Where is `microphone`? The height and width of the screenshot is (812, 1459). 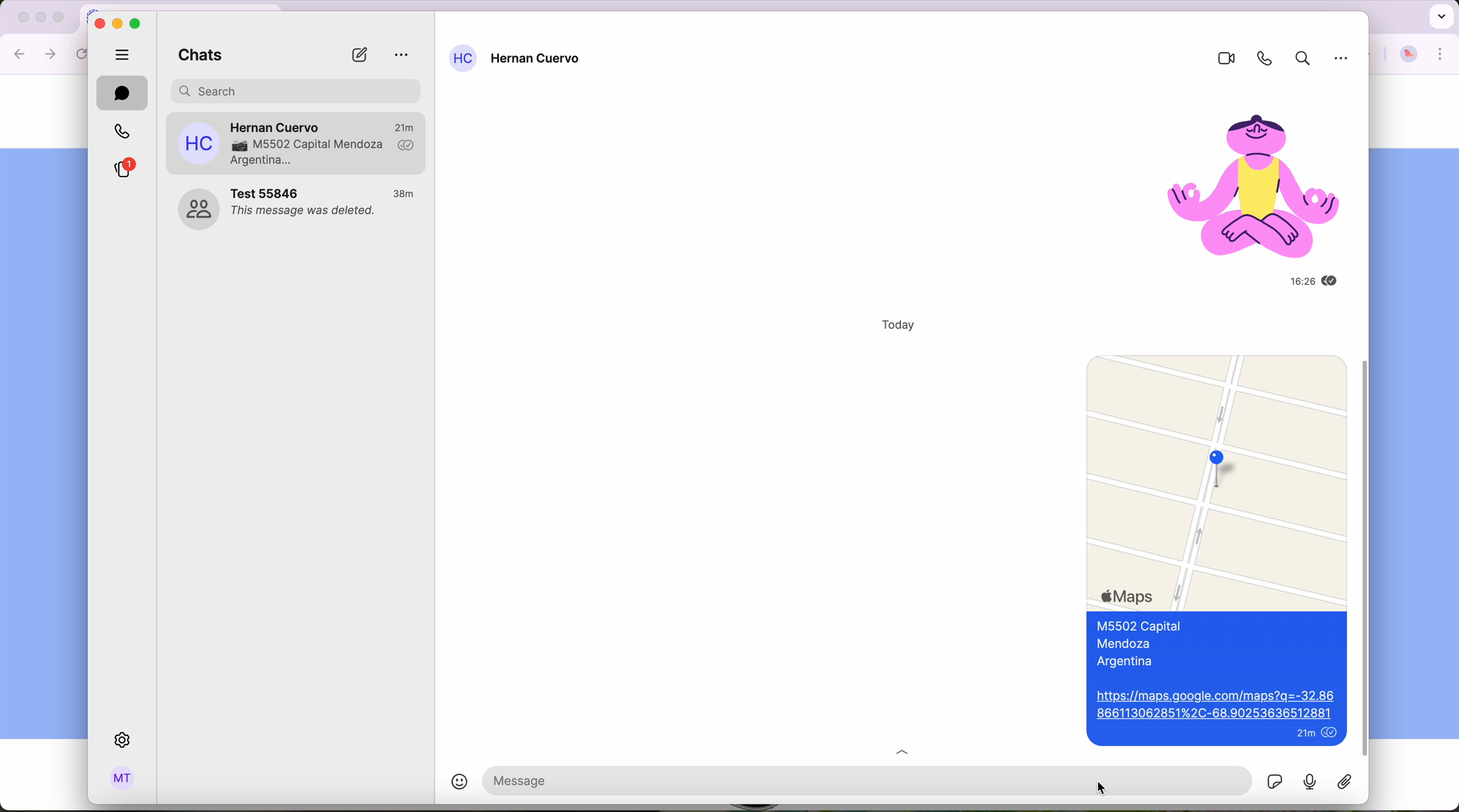
microphone is located at coordinates (1311, 781).